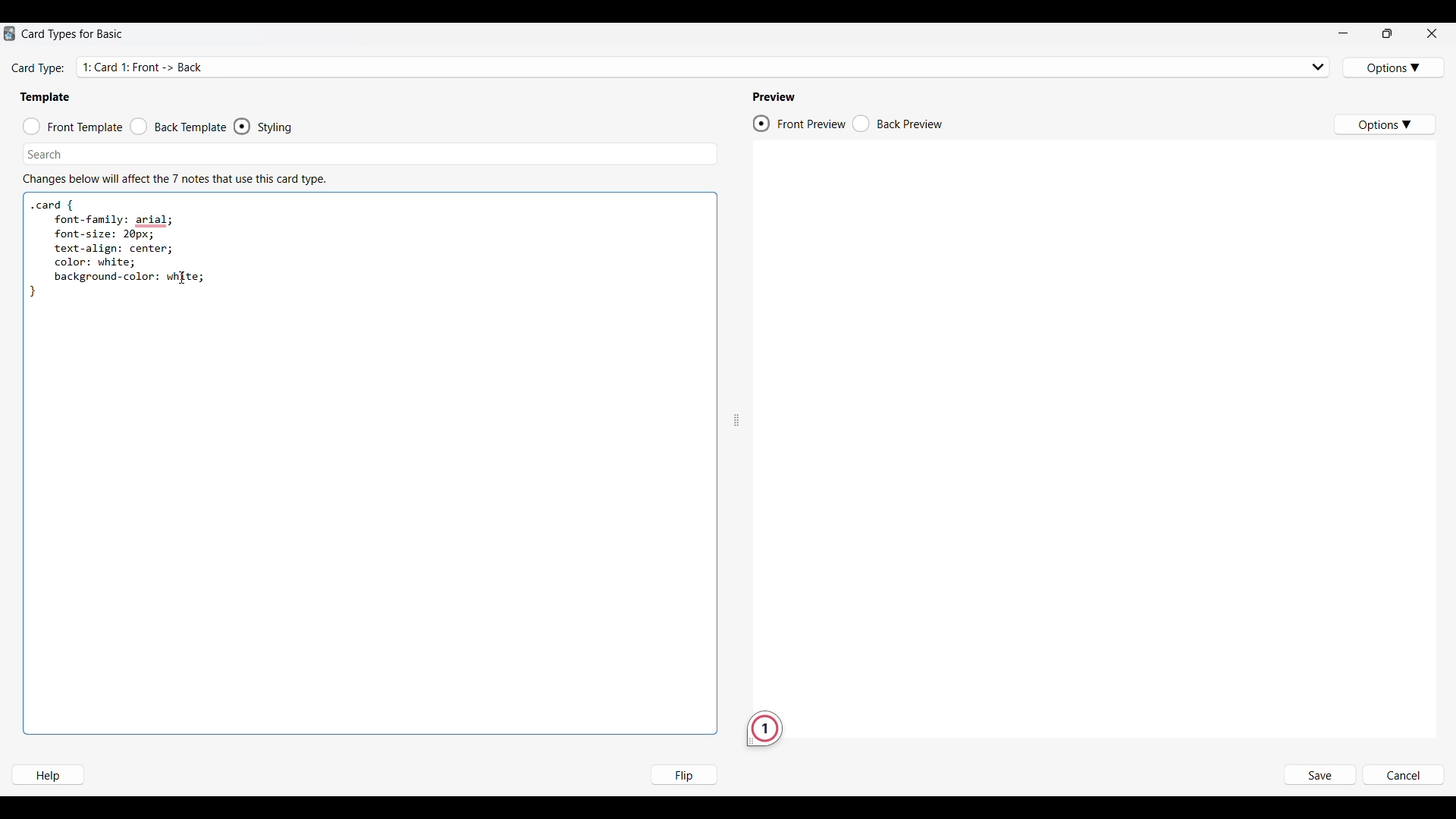 This screenshot has width=1456, height=819. Describe the element at coordinates (182, 278) in the screenshot. I see `Cursor` at that location.